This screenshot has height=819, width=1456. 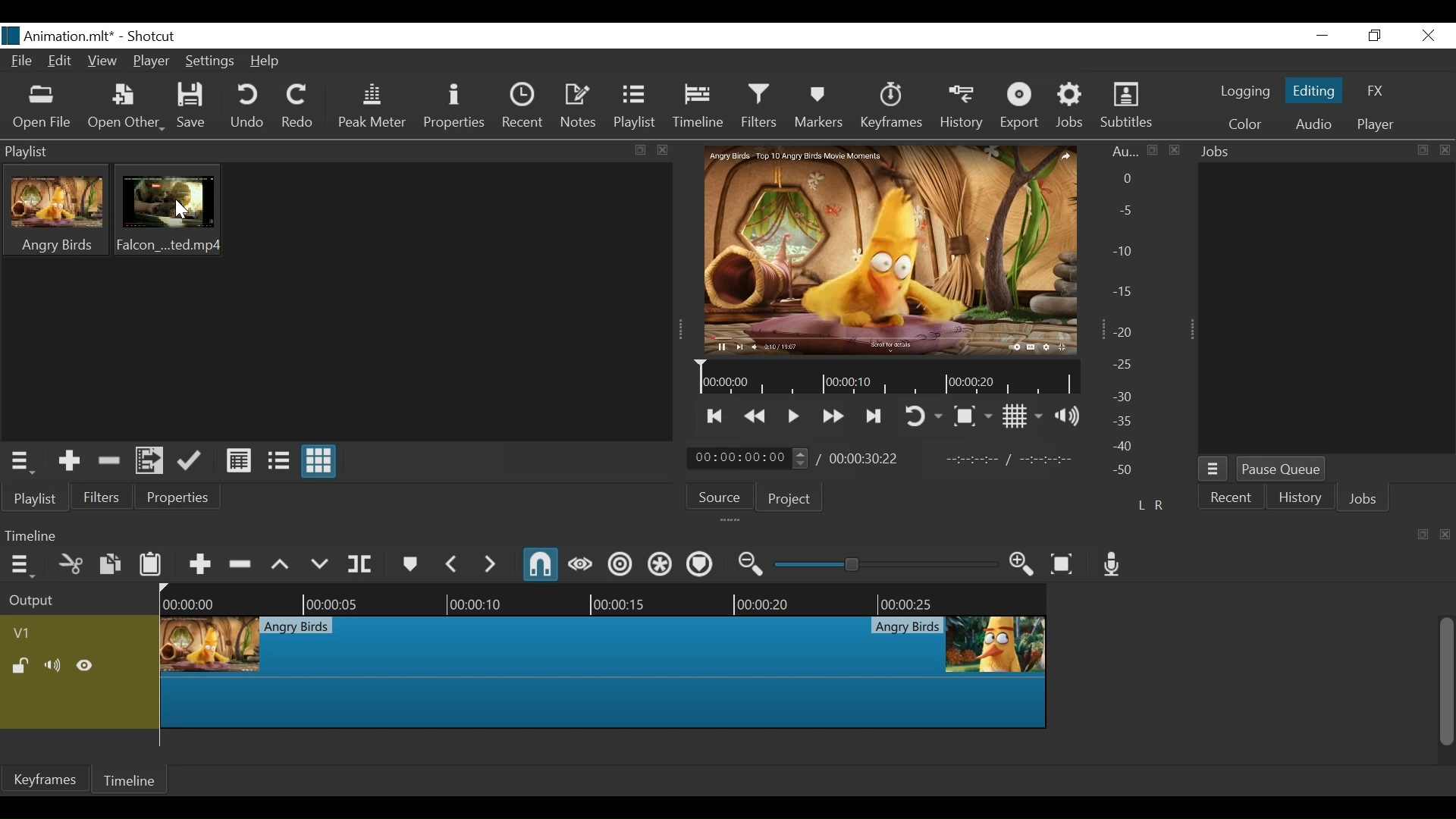 What do you see at coordinates (192, 461) in the screenshot?
I see `Update` at bounding box center [192, 461].